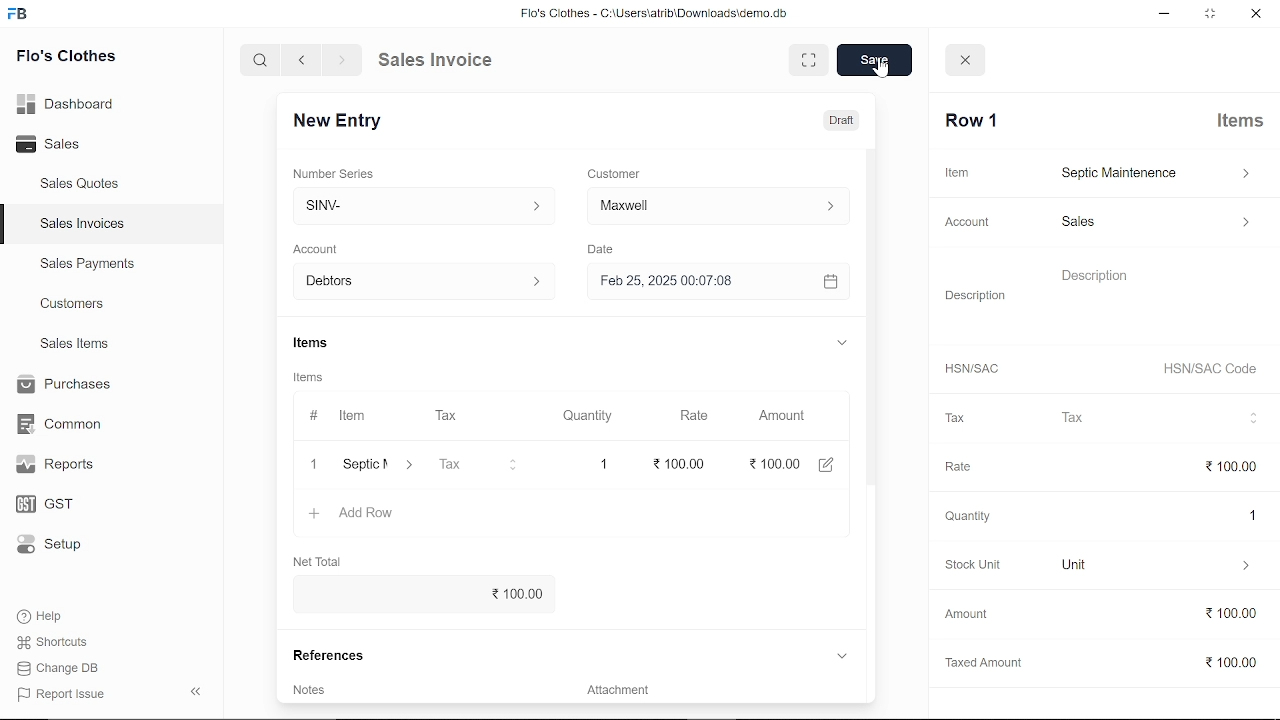 The image size is (1280, 720). What do you see at coordinates (57, 142) in the screenshot?
I see `Sales` at bounding box center [57, 142].